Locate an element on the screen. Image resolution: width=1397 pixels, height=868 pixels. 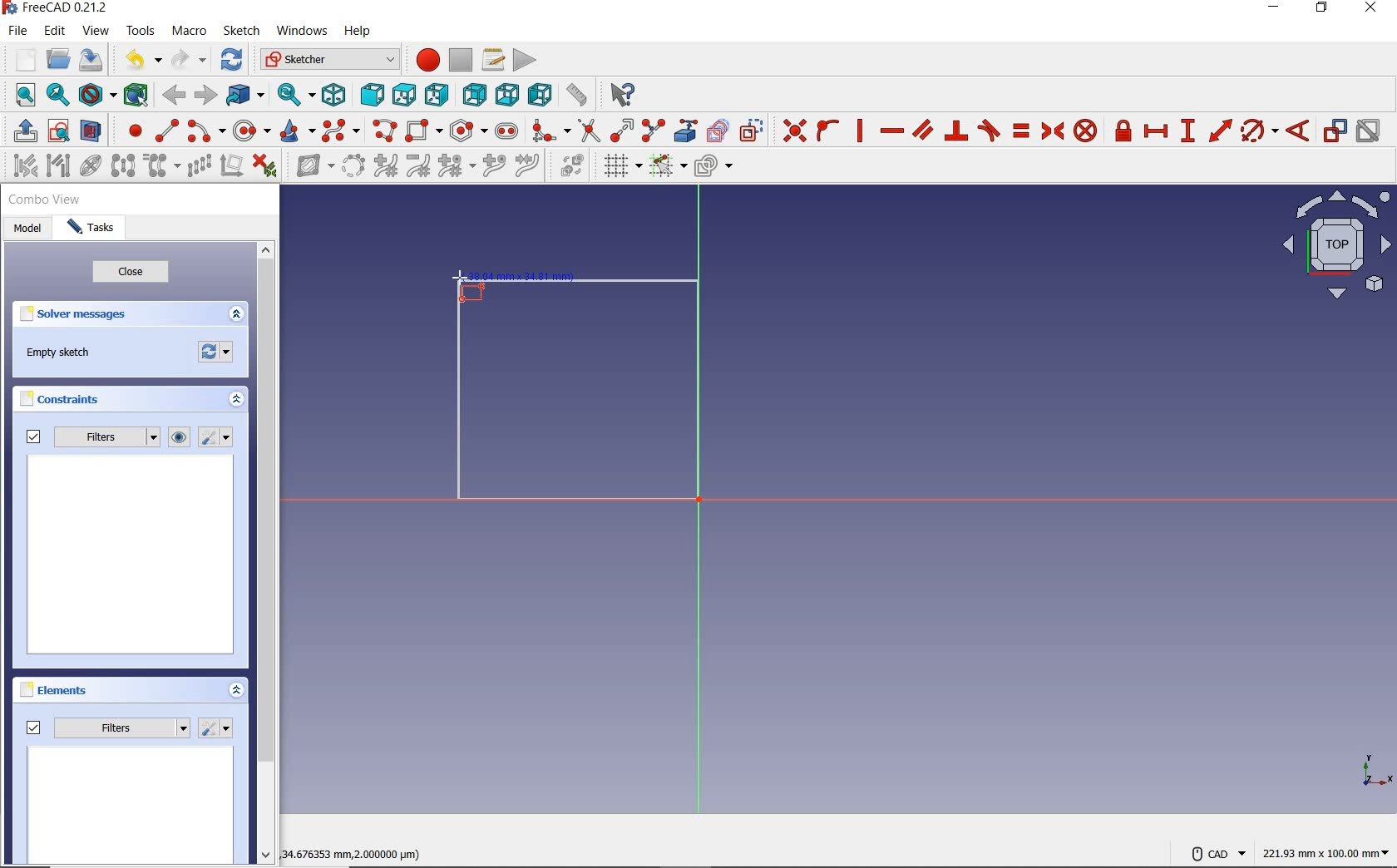
fit selection is located at coordinates (57, 96).